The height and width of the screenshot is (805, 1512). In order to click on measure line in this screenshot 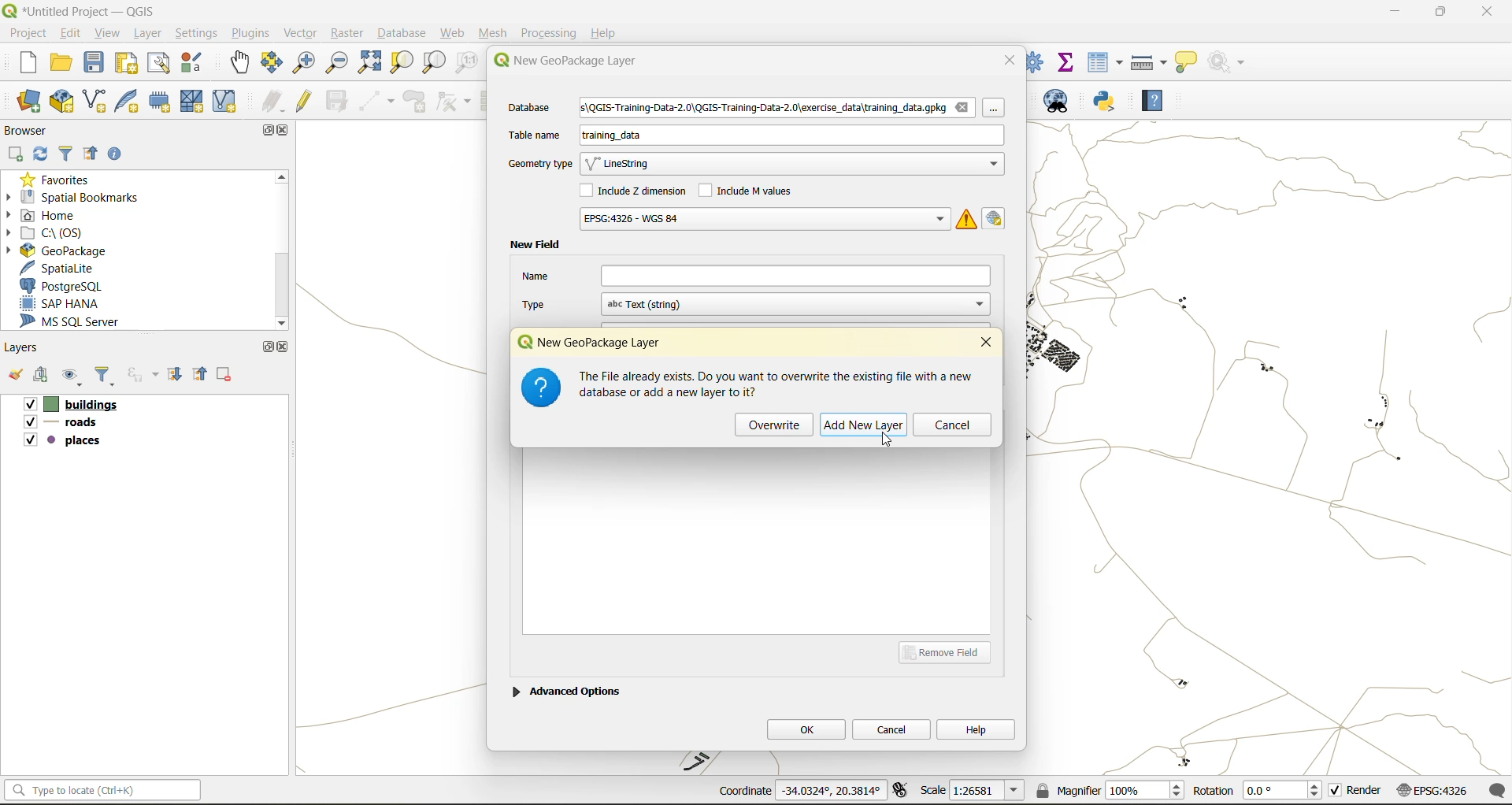, I will do `click(1151, 62)`.